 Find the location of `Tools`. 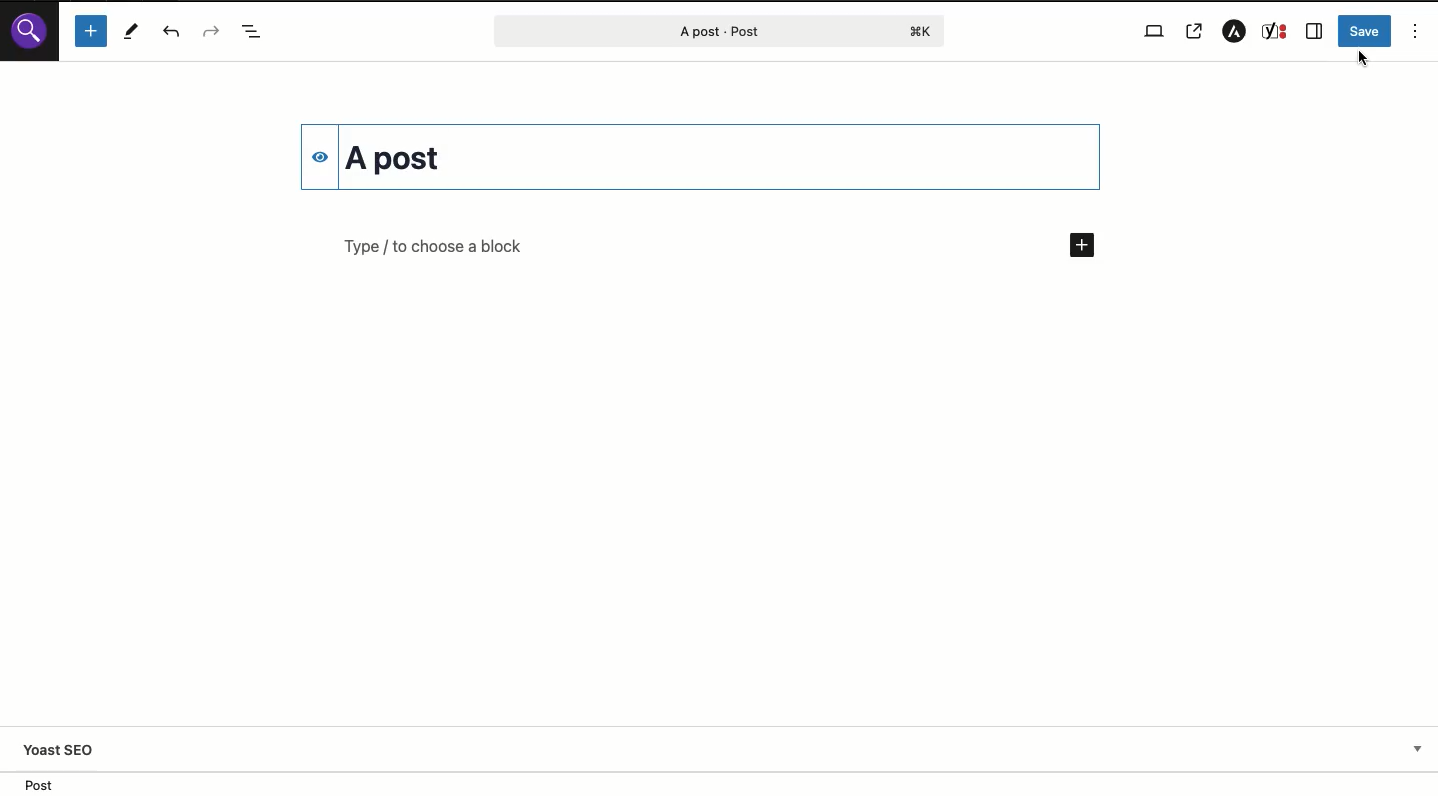

Tools is located at coordinates (133, 31).